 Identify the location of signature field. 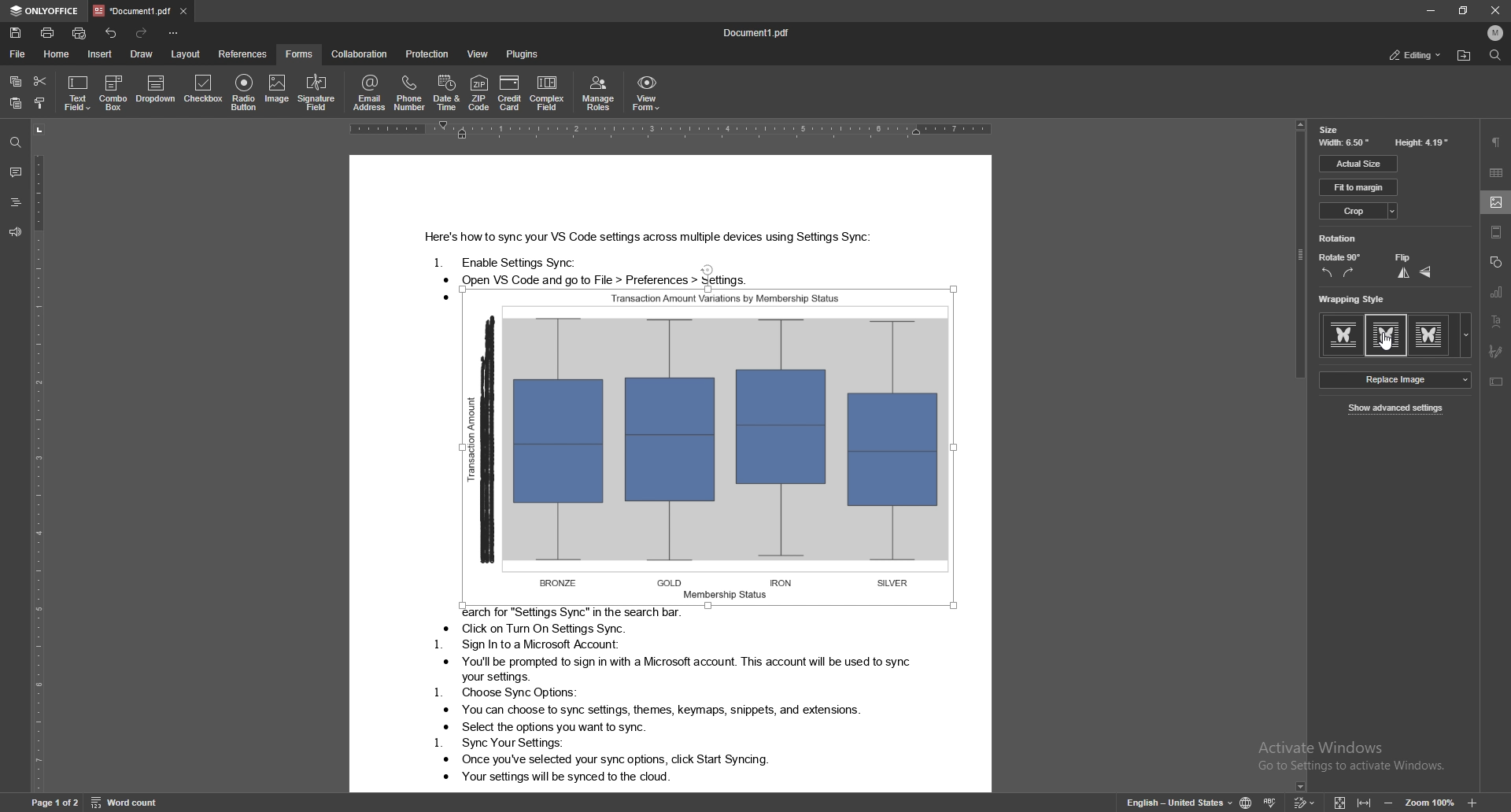
(1495, 351).